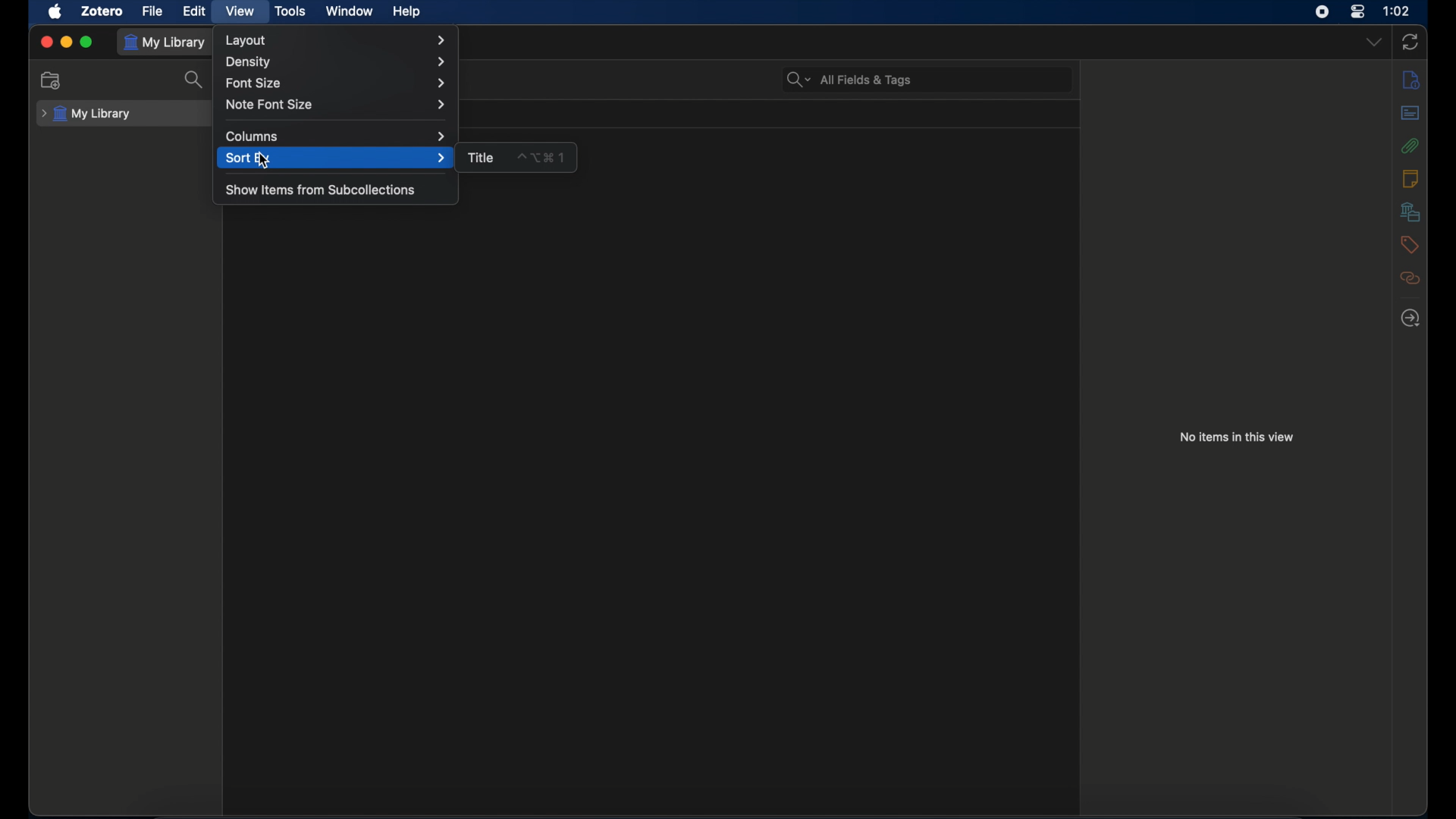 The image size is (1456, 819). Describe the element at coordinates (543, 158) in the screenshot. I see `shortcut` at that location.